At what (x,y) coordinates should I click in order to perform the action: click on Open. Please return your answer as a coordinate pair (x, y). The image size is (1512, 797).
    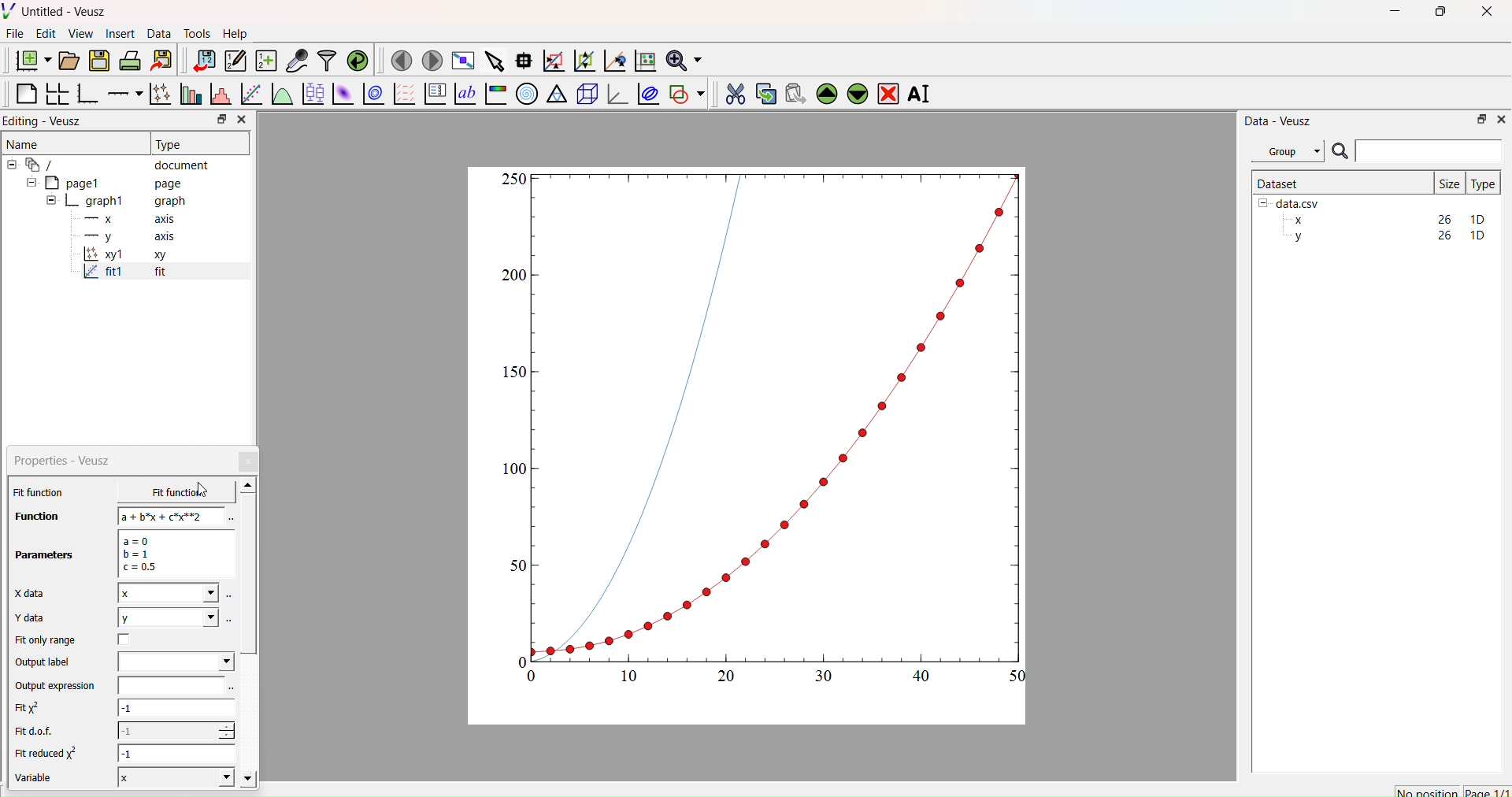
    Looking at the image, I should click on (66, 61).